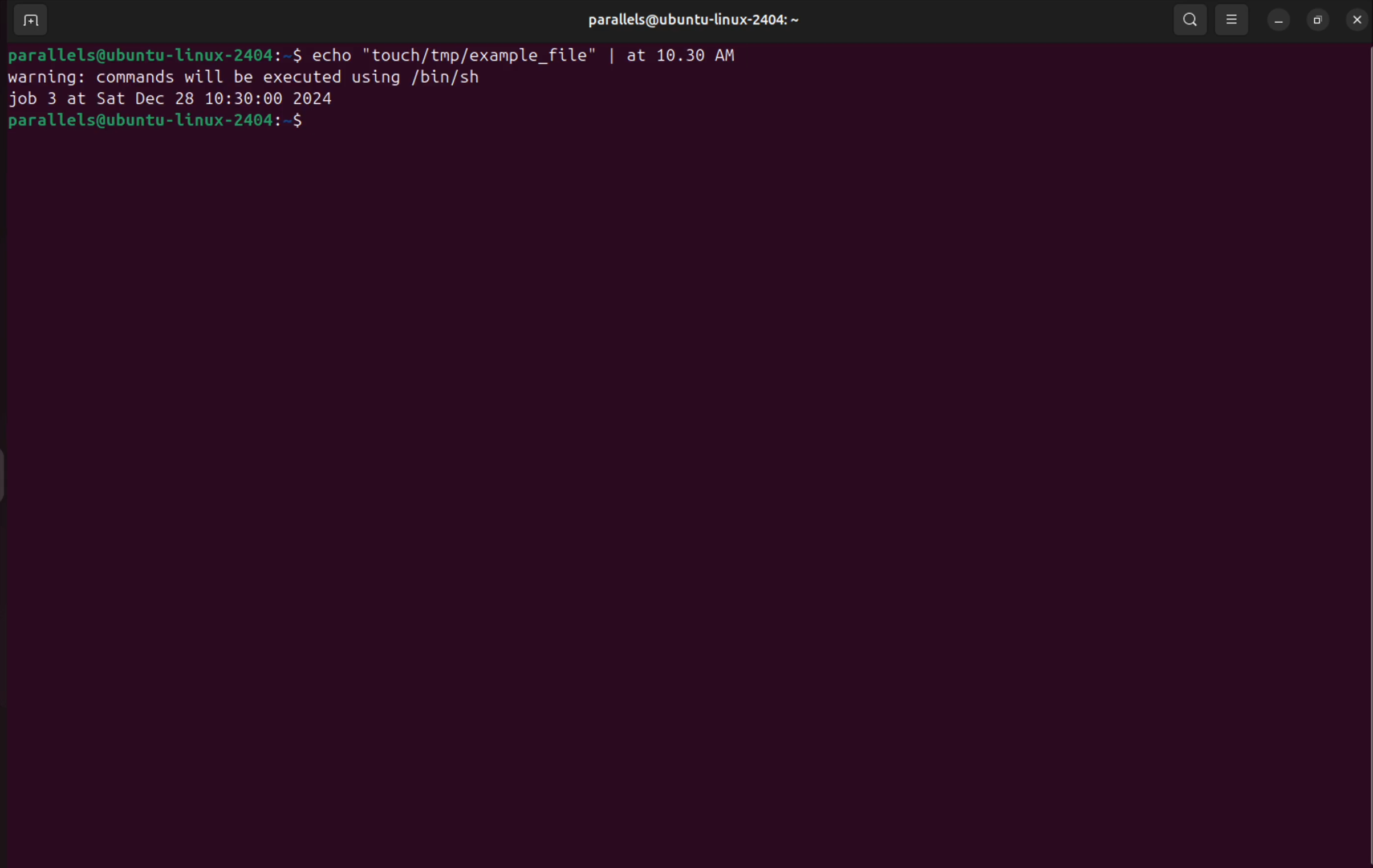 The height and width of the screenshot is (868, 1373). I want to click on echo "touch /tmp/example_file" | at 10:30 AM, so click(535, 54).